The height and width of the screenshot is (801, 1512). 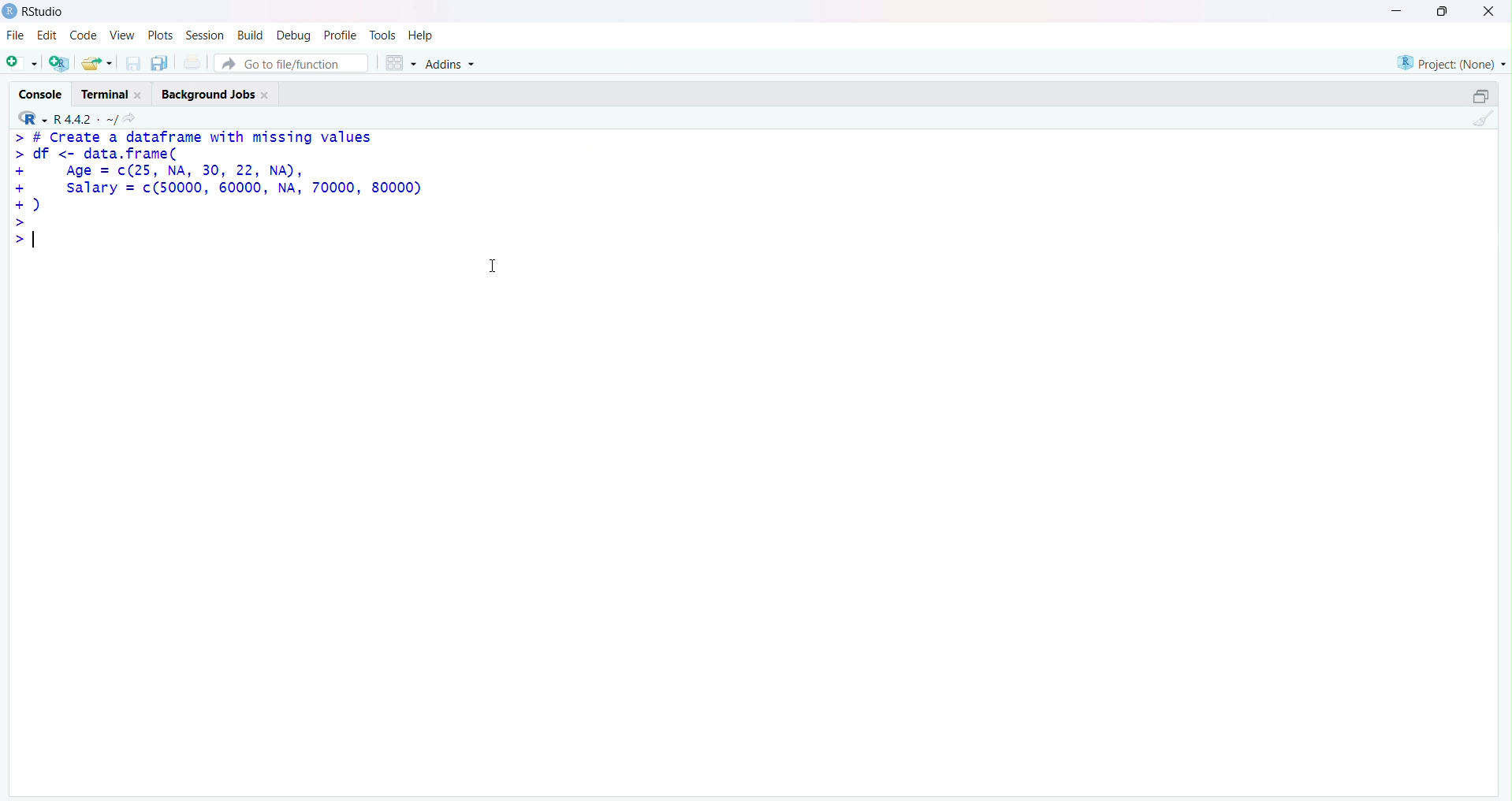 I want to click on Workspace panes, so click(x=397, y=59).